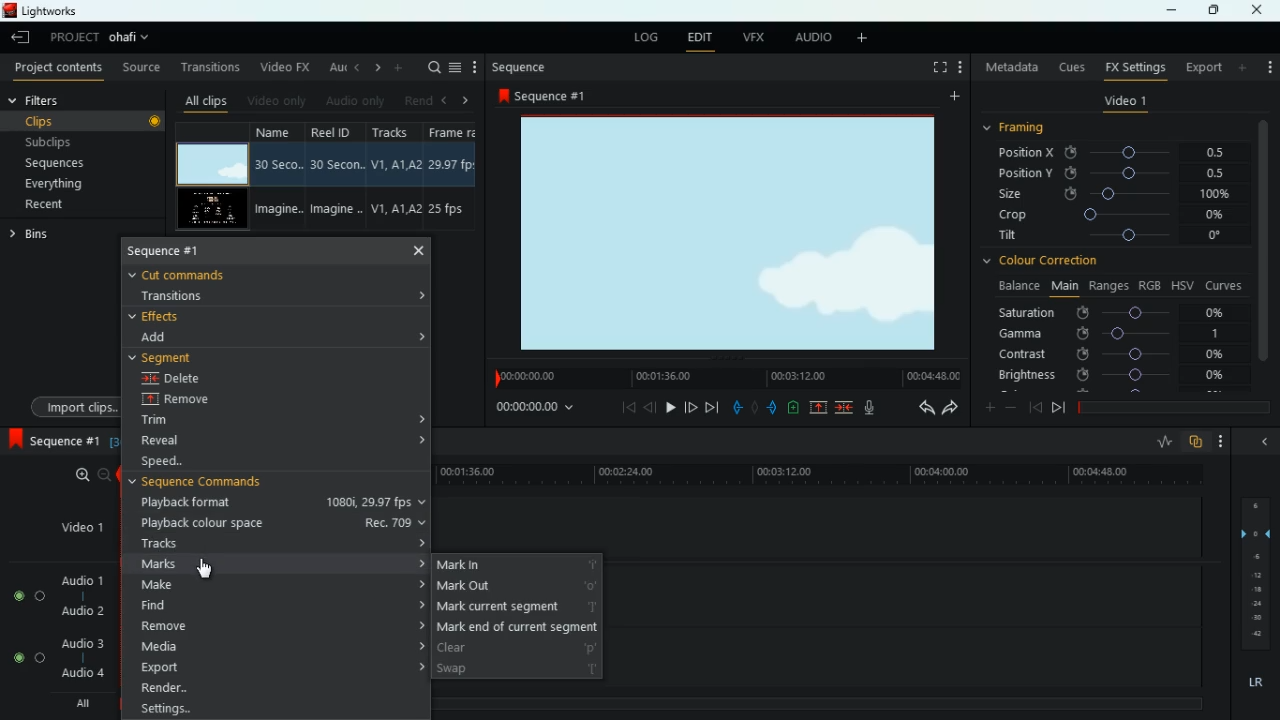 The width and height of the screenshot is (1280, 720). I want to click on tracks, so click(282, 544).